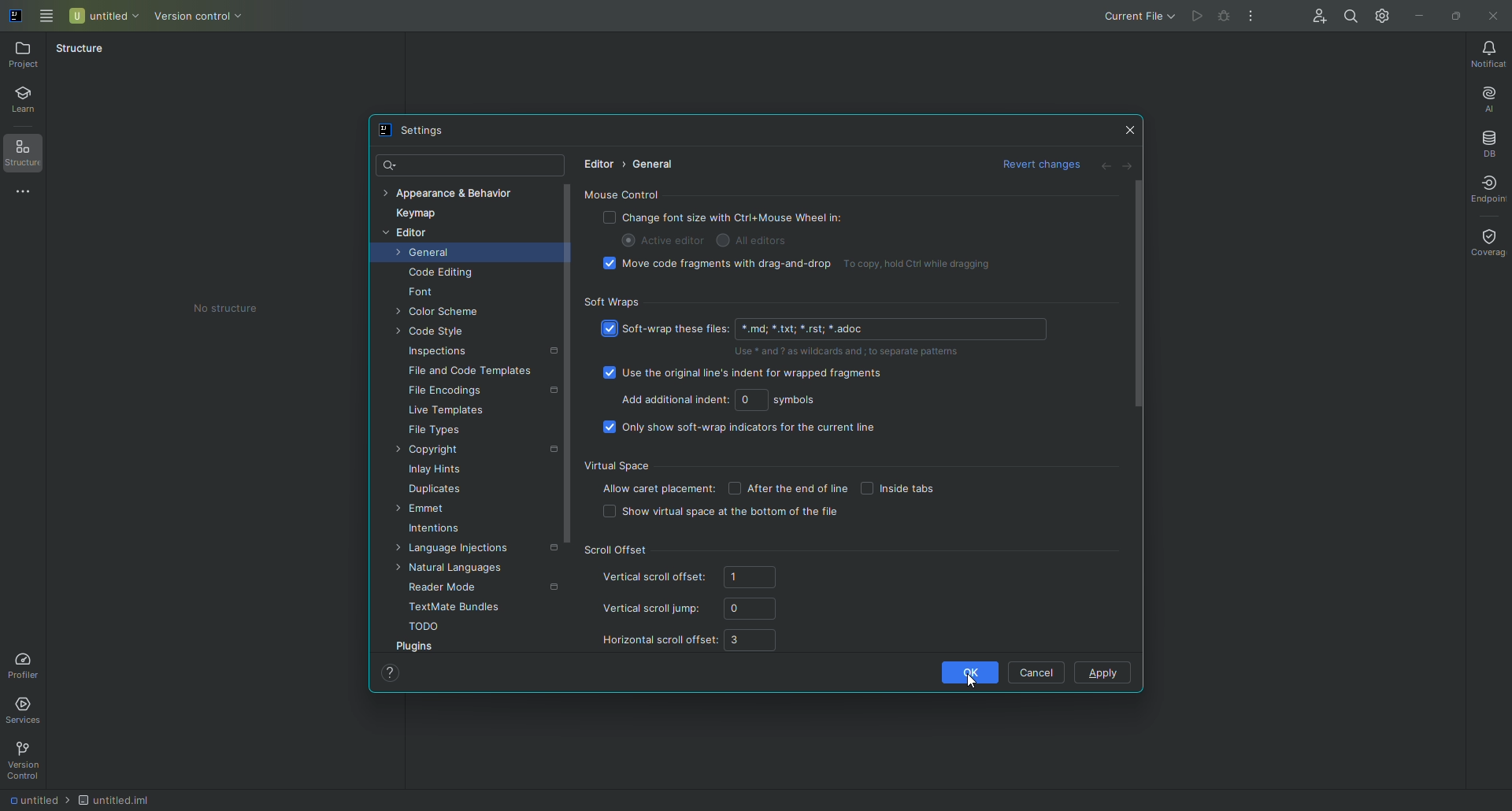  What do you see at coordinates (620, 464) in the screenshot?
I see `Virtual Space` at bounding box center [620, 464].